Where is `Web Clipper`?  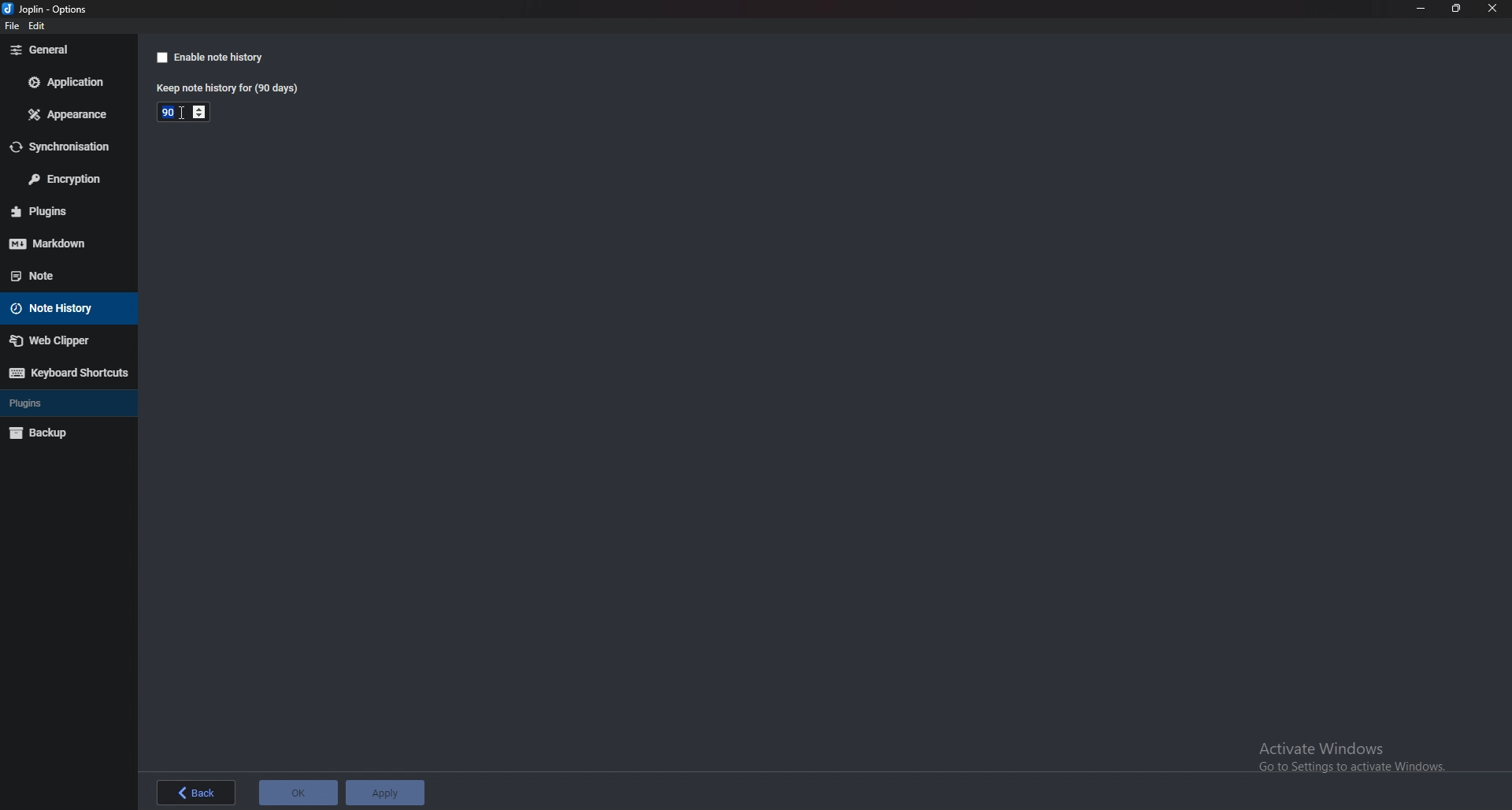 Web Clipper is located at coordinates (62, 340).